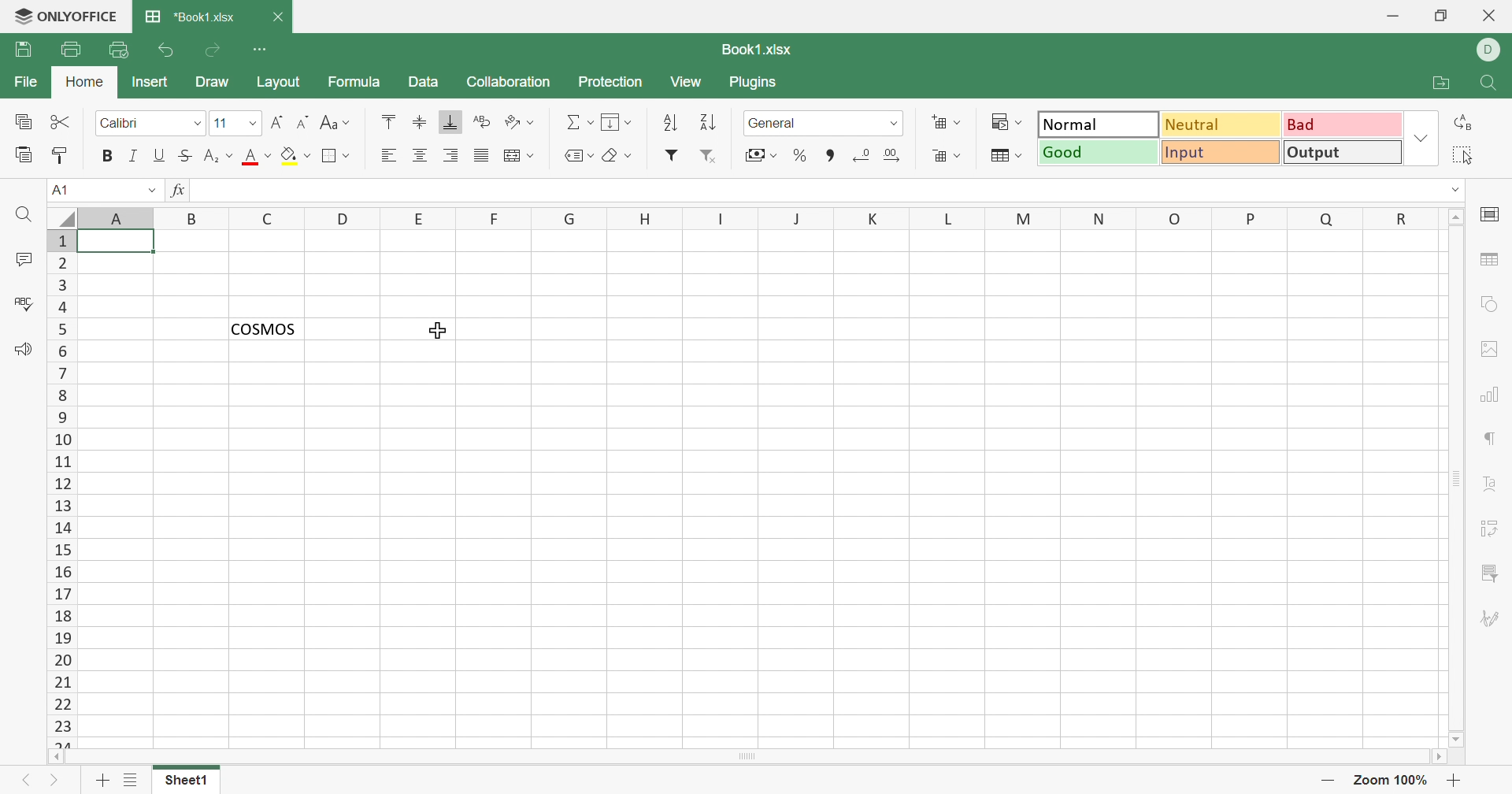 Image resolution: width=1512 pixels, height=794 pixels. I want to click on Superscript / subscript, so click(220, 157).